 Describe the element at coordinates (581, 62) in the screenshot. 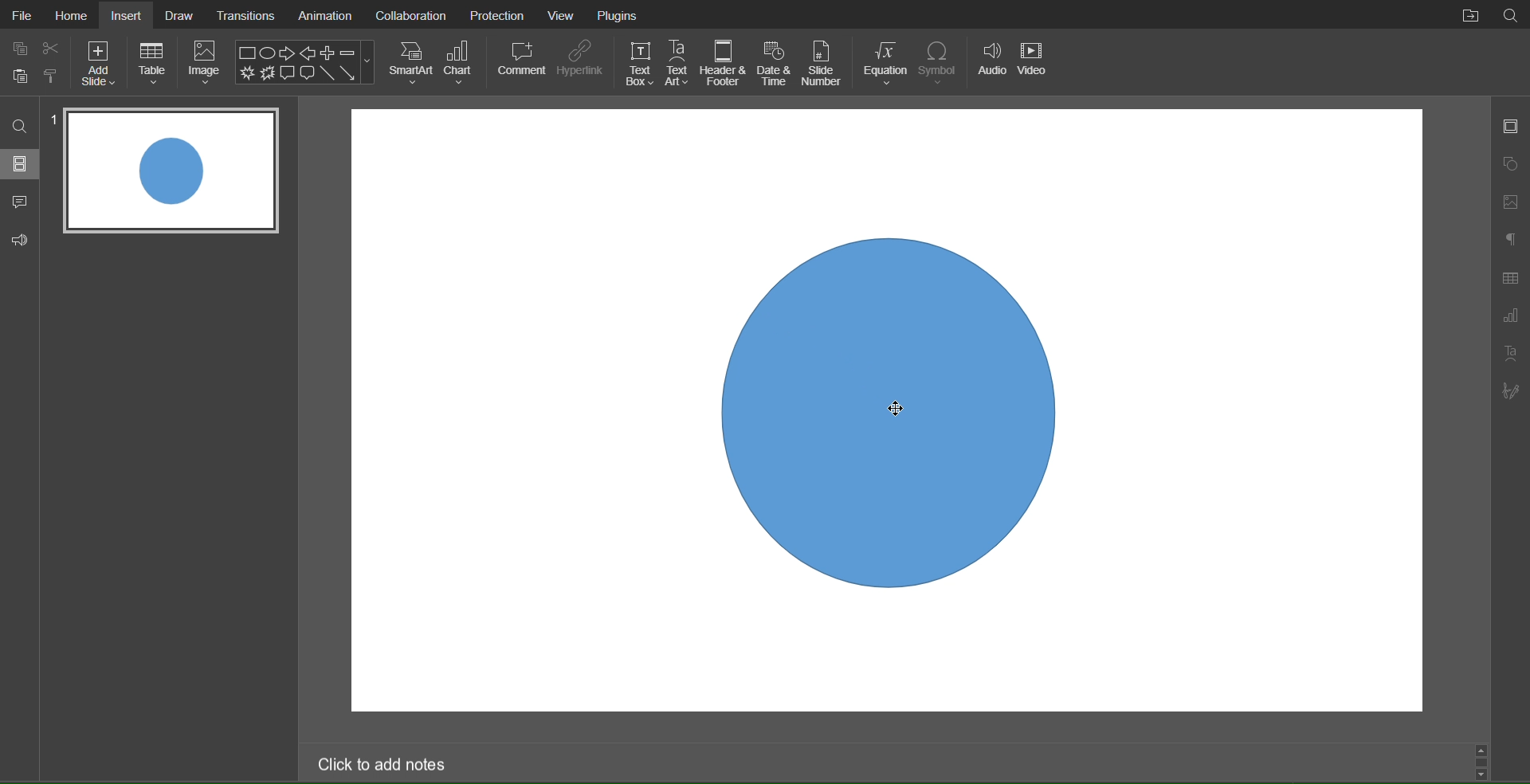

I see `Hyperlink` at that location.